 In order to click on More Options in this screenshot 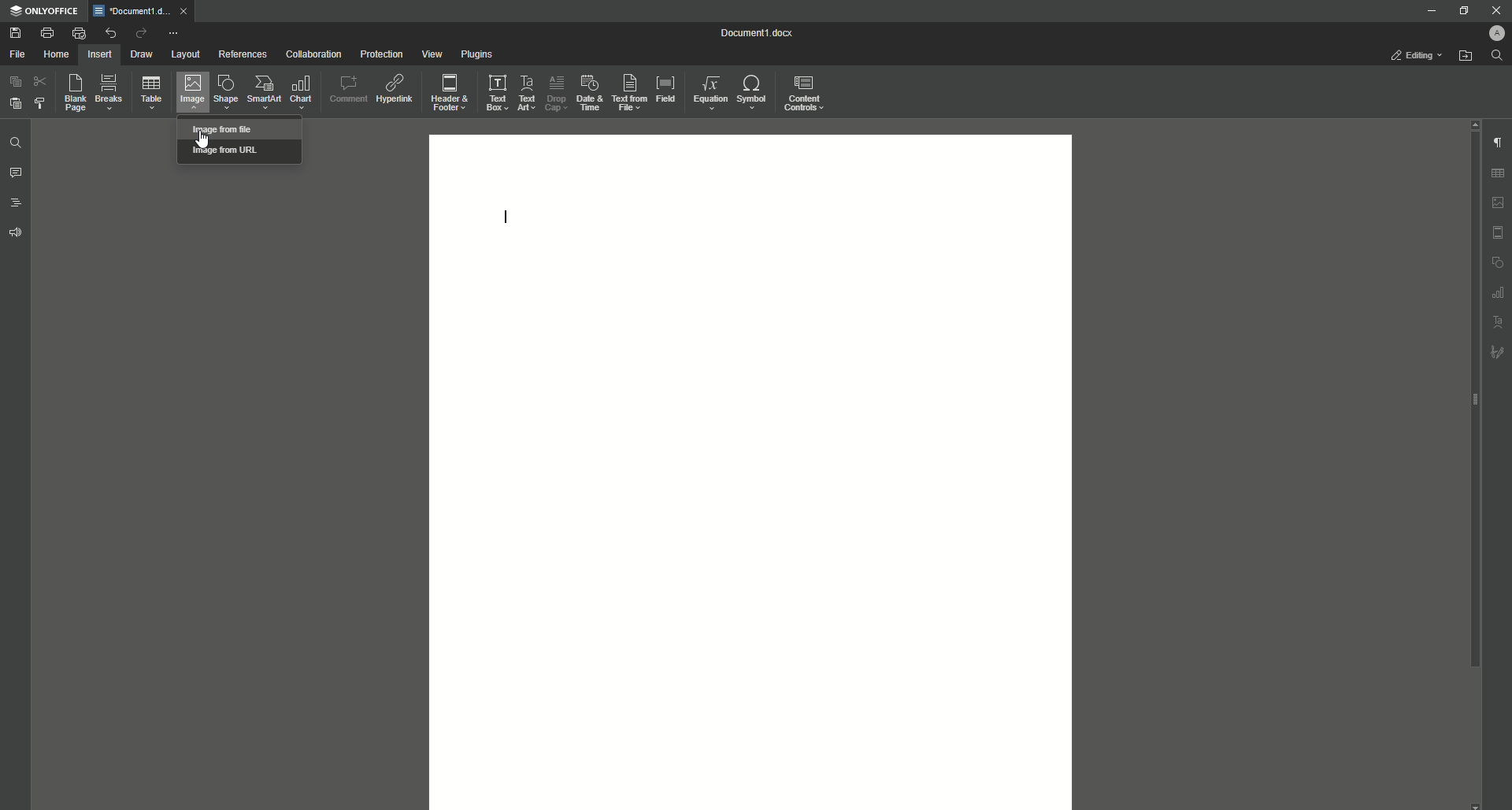, I will do `click(174, 34)`.